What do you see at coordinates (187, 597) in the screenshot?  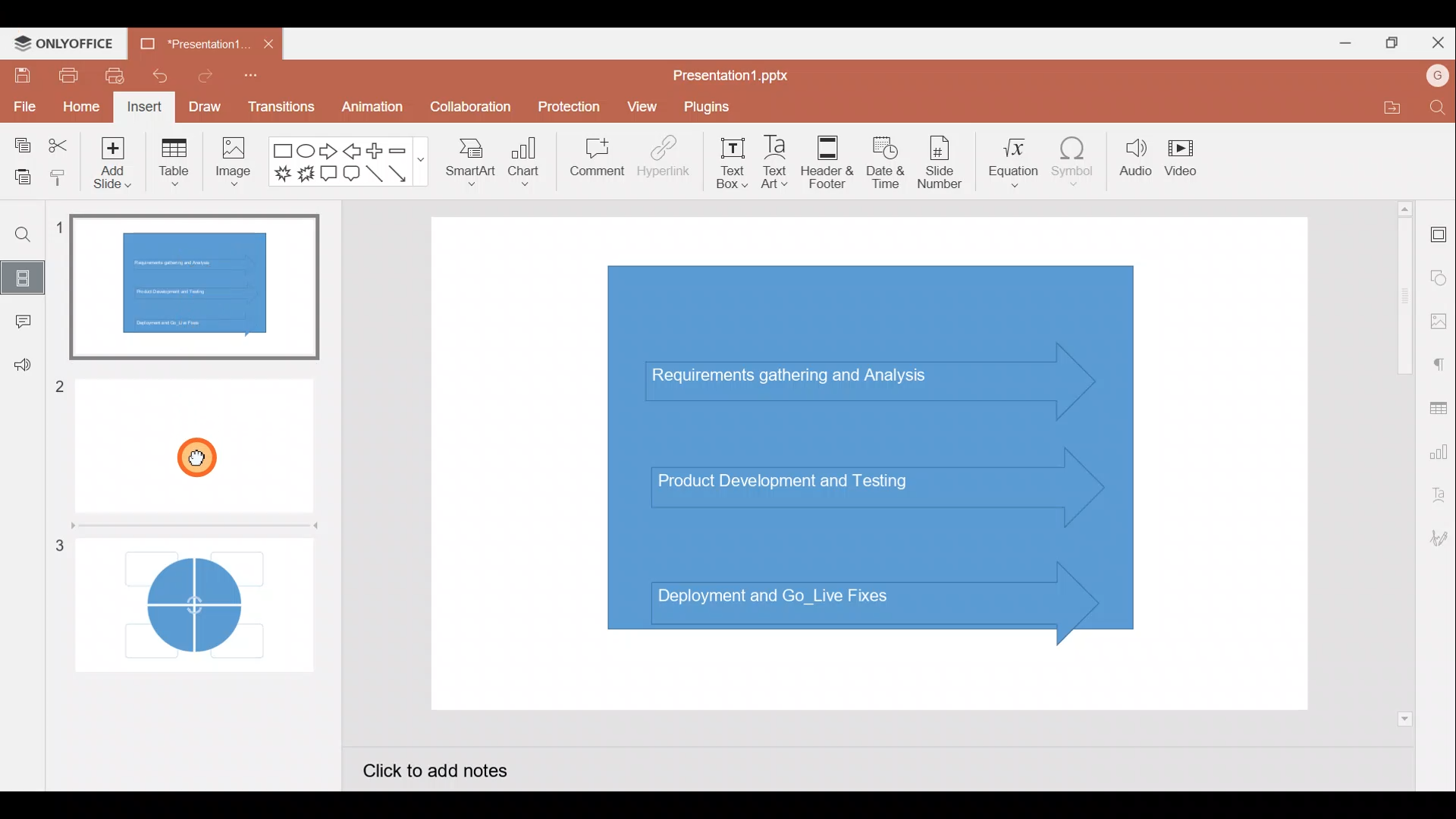 I see `Slide 3` at bounding box center [187, 597].